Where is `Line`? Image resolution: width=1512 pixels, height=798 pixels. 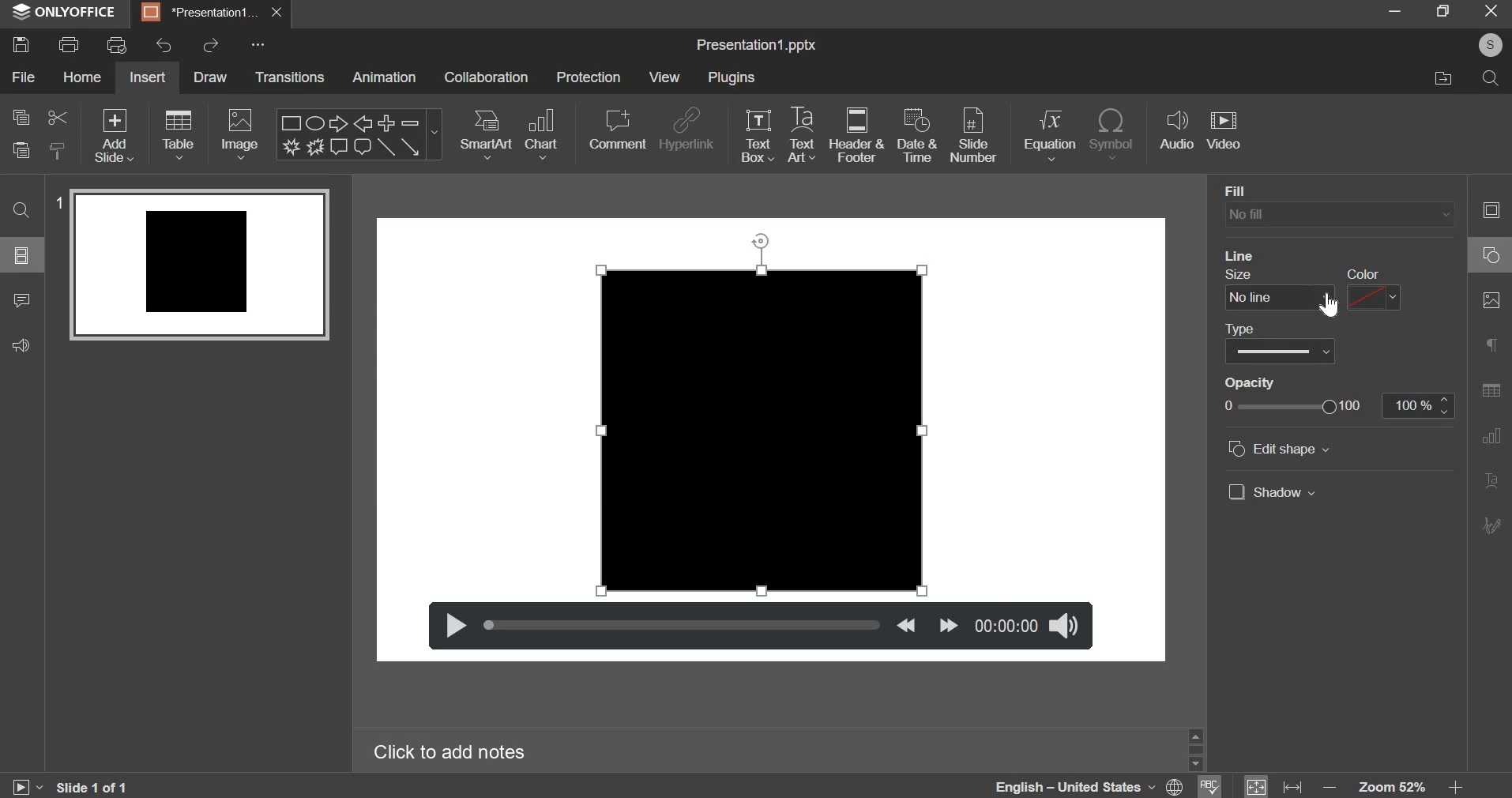 Line is located at coordinates (1248, 253).